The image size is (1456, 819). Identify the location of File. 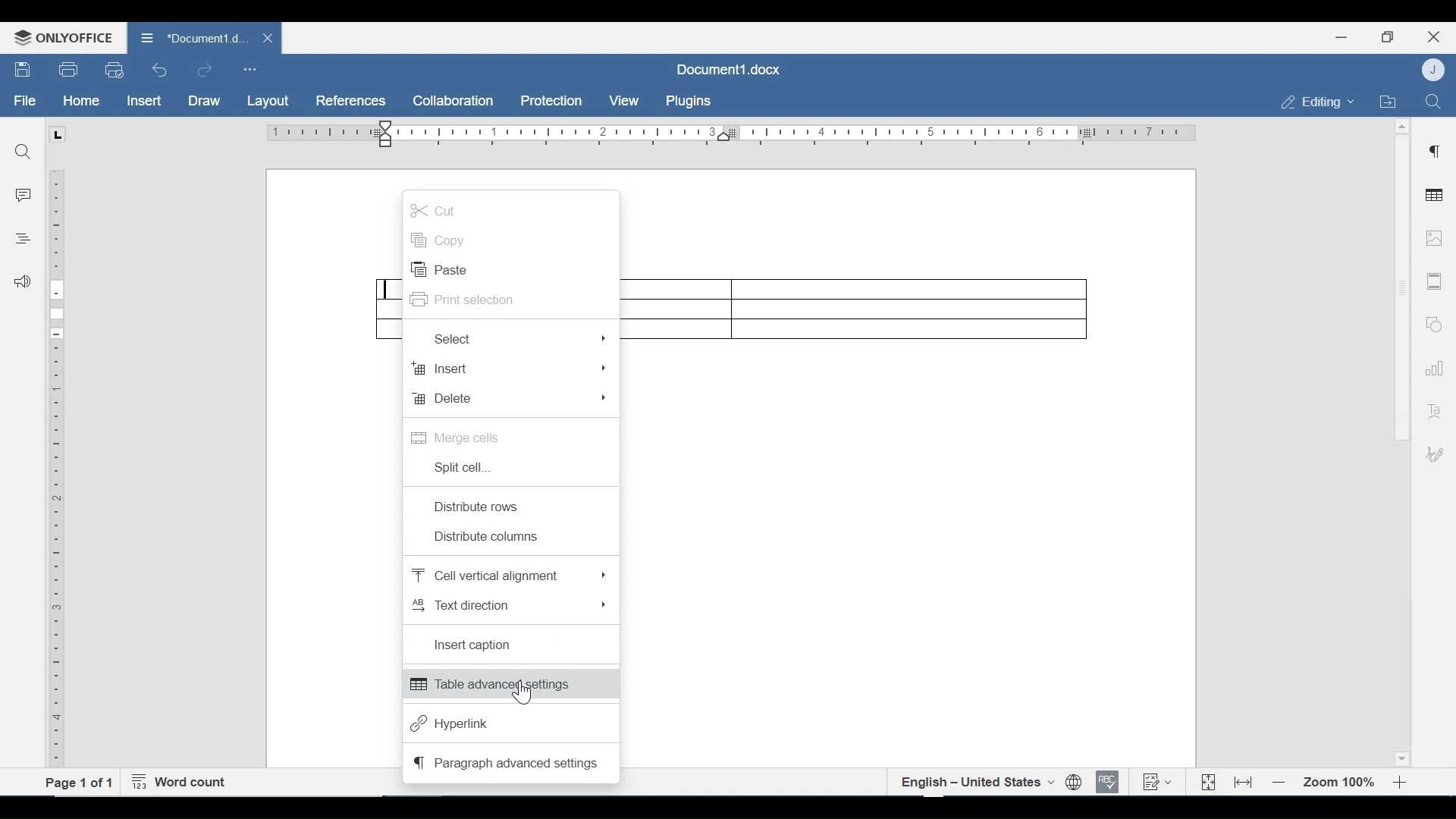
(26, 101).